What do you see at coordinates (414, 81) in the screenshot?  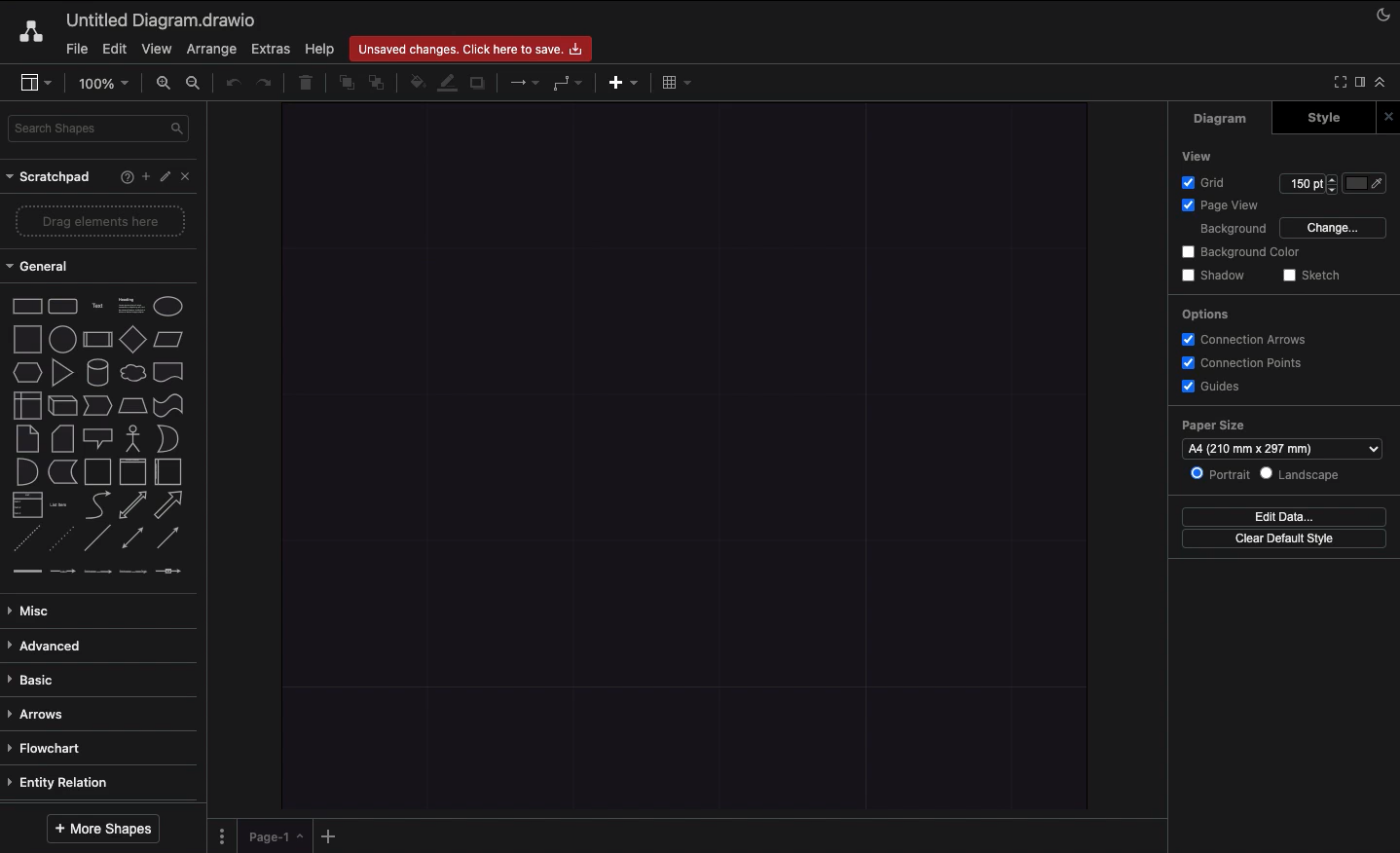 I see `Fill color` at bounding box center [414, 81].